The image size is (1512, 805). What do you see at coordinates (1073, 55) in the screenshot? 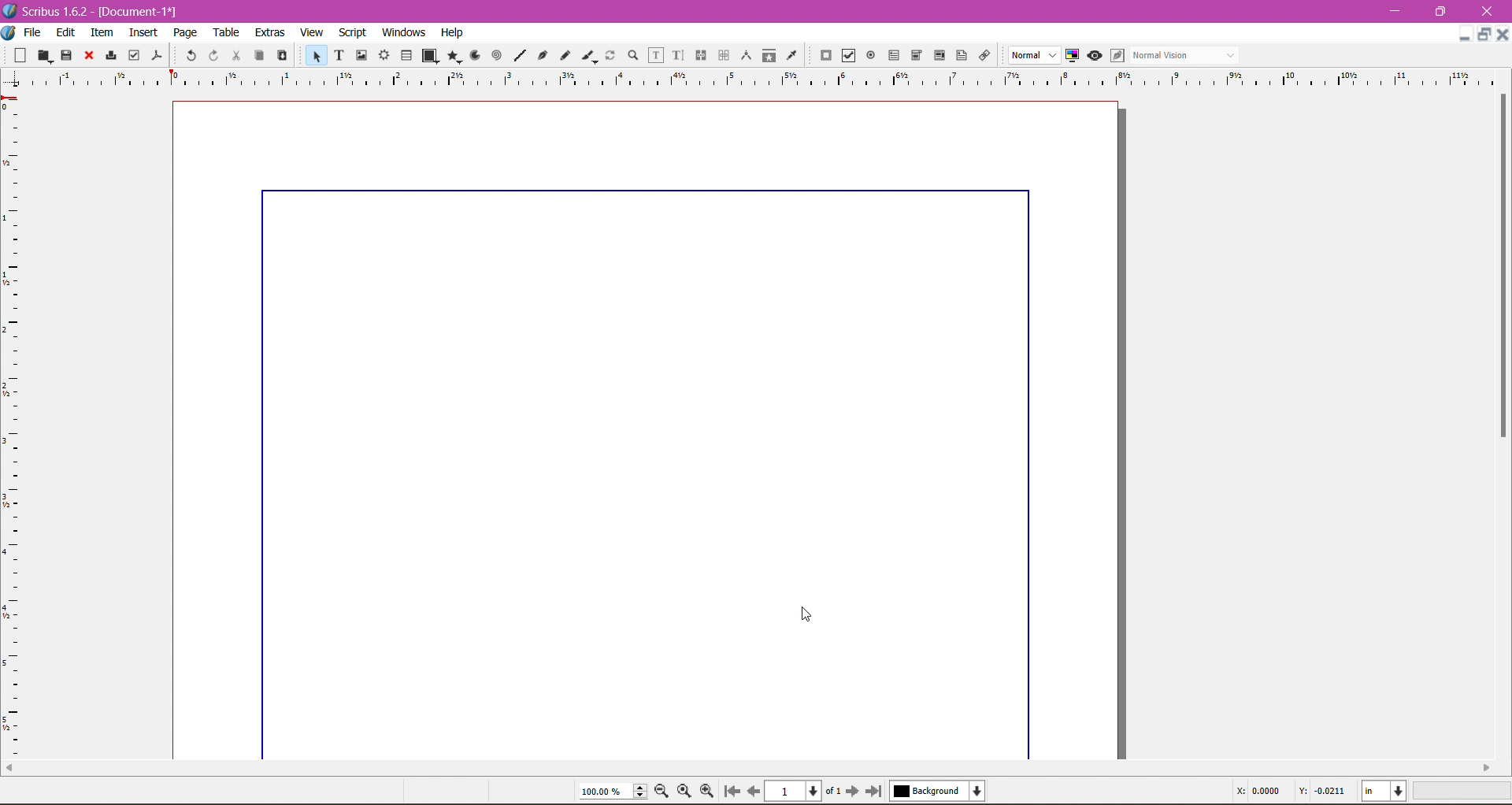
I see `Toggle Color Management System` at bounding box center [1073, 55].